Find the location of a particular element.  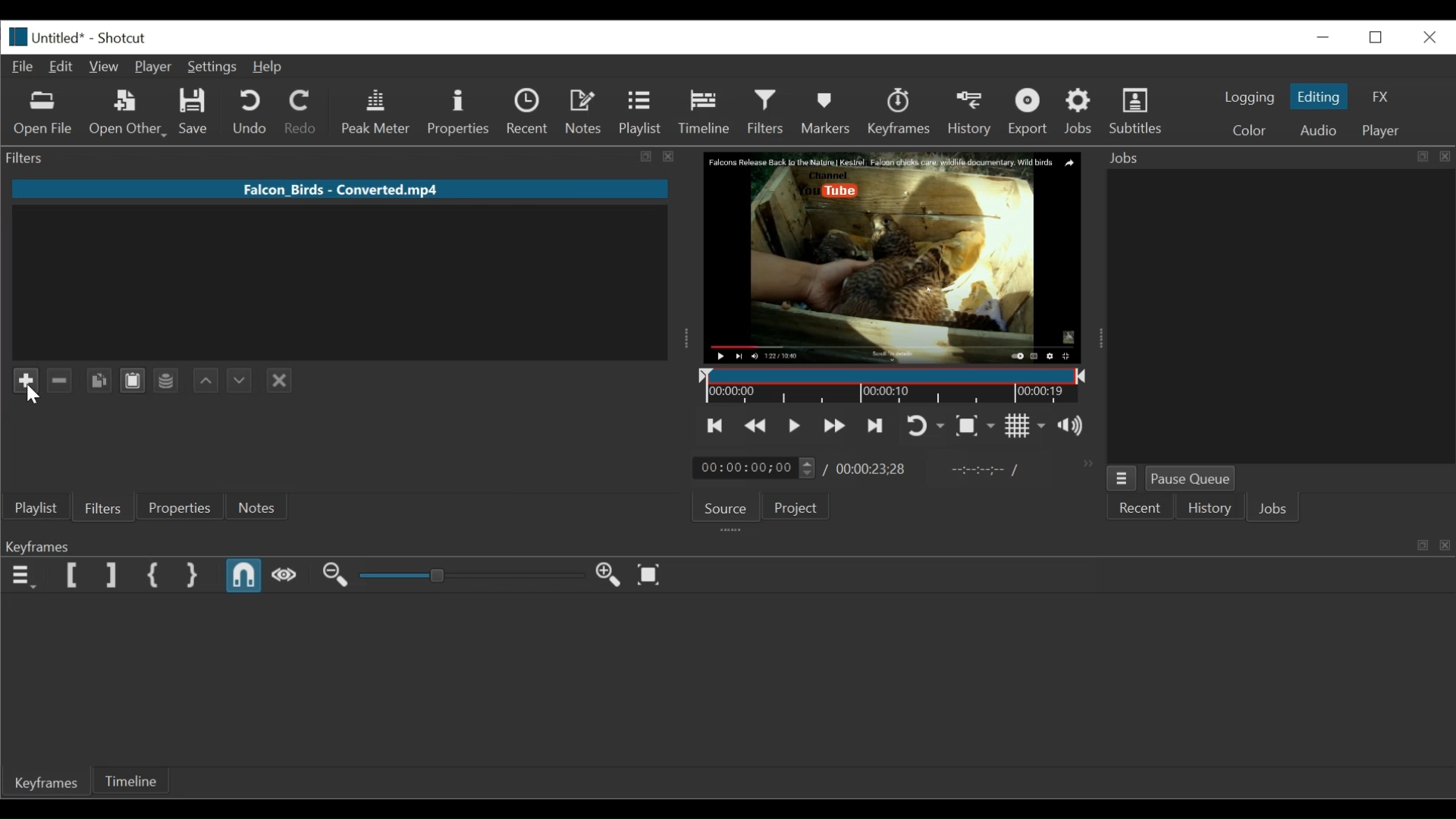

Total Duration is located at coordinates (871, 469).